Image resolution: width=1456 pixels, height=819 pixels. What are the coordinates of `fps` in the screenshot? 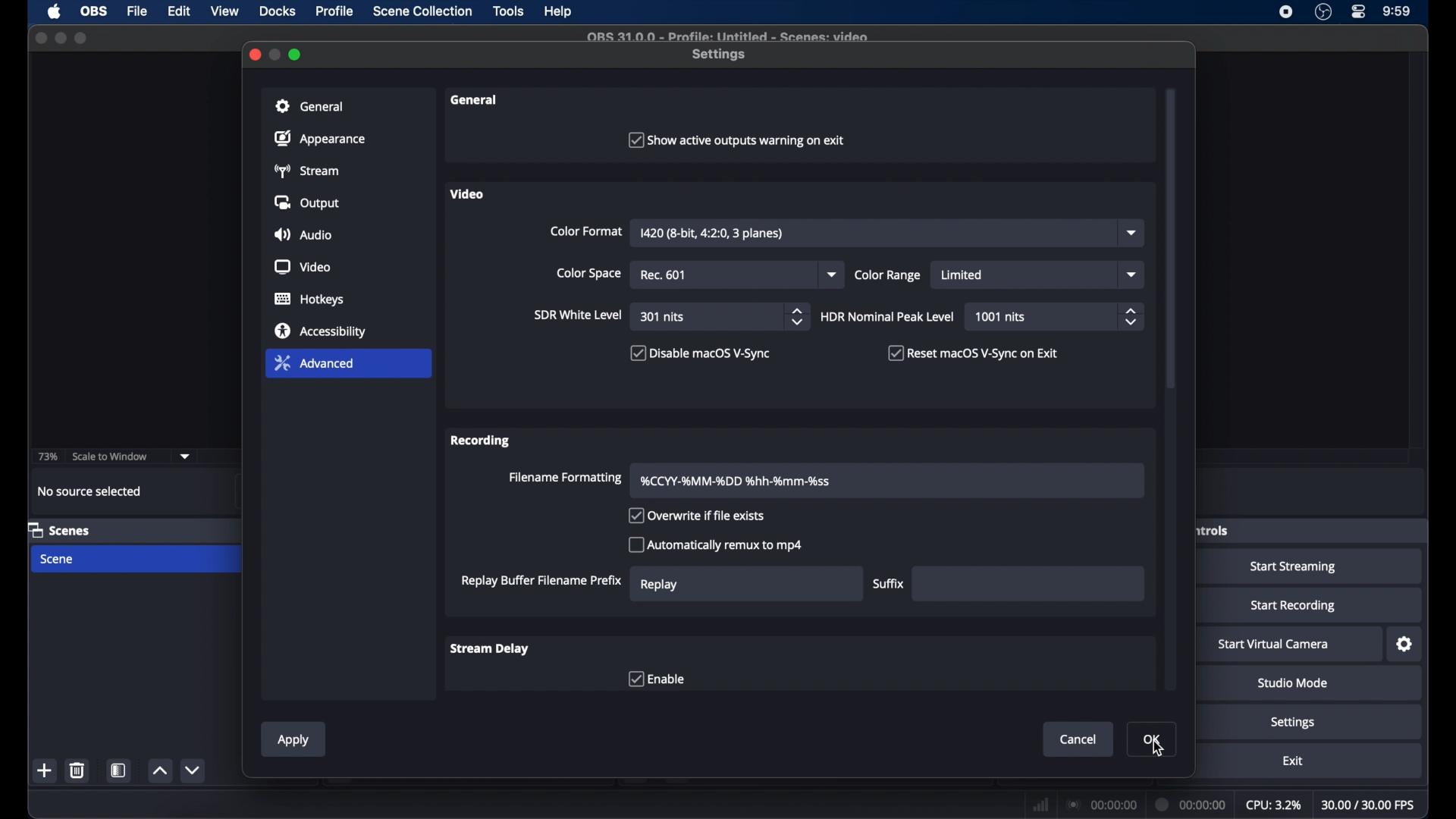 It's located at (1370, 805).